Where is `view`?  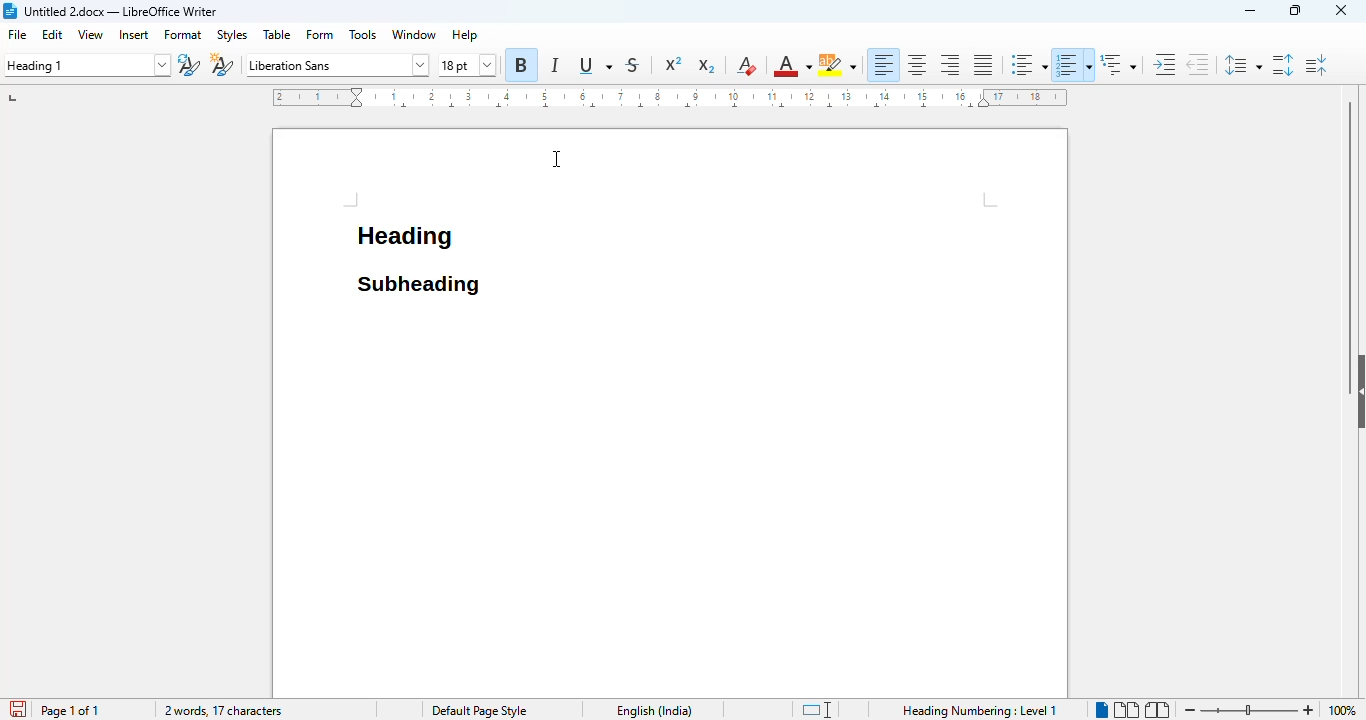
view is located at coordinates (91, 34).